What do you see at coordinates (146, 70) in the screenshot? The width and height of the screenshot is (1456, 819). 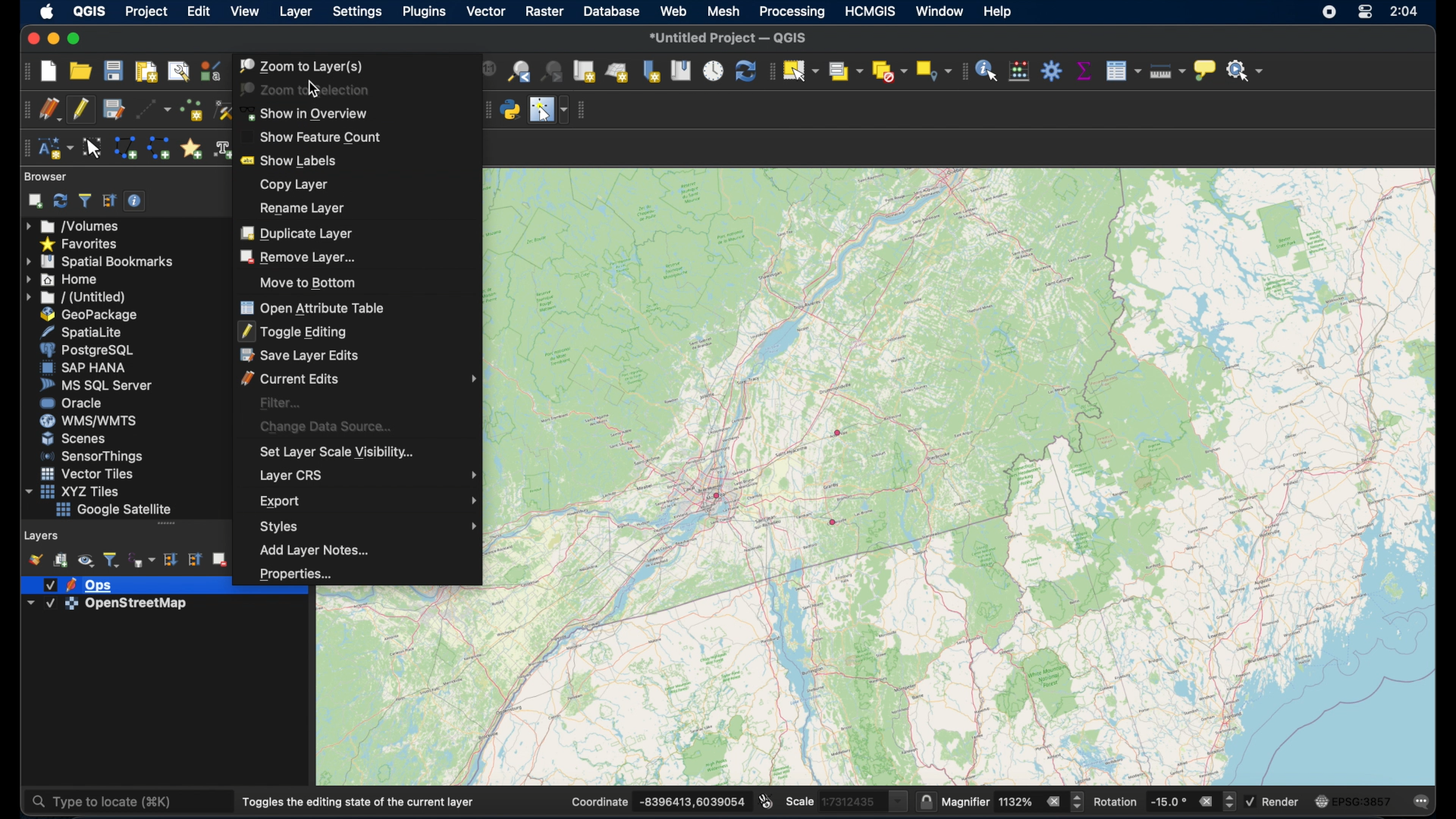 I see `new print layout` at bounding box center [146, 70].